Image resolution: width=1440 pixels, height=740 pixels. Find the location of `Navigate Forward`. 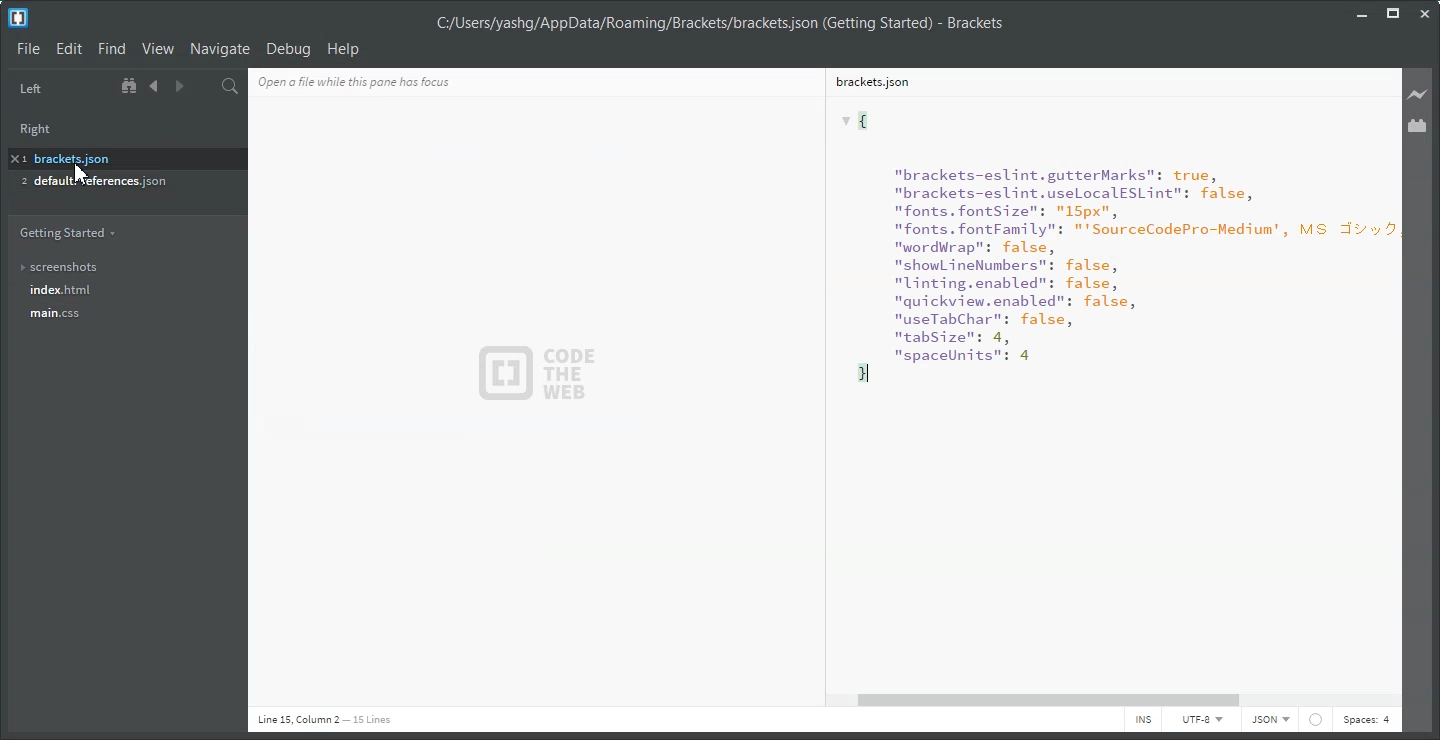

Navigate Forward is located at coordinates (177, 87).